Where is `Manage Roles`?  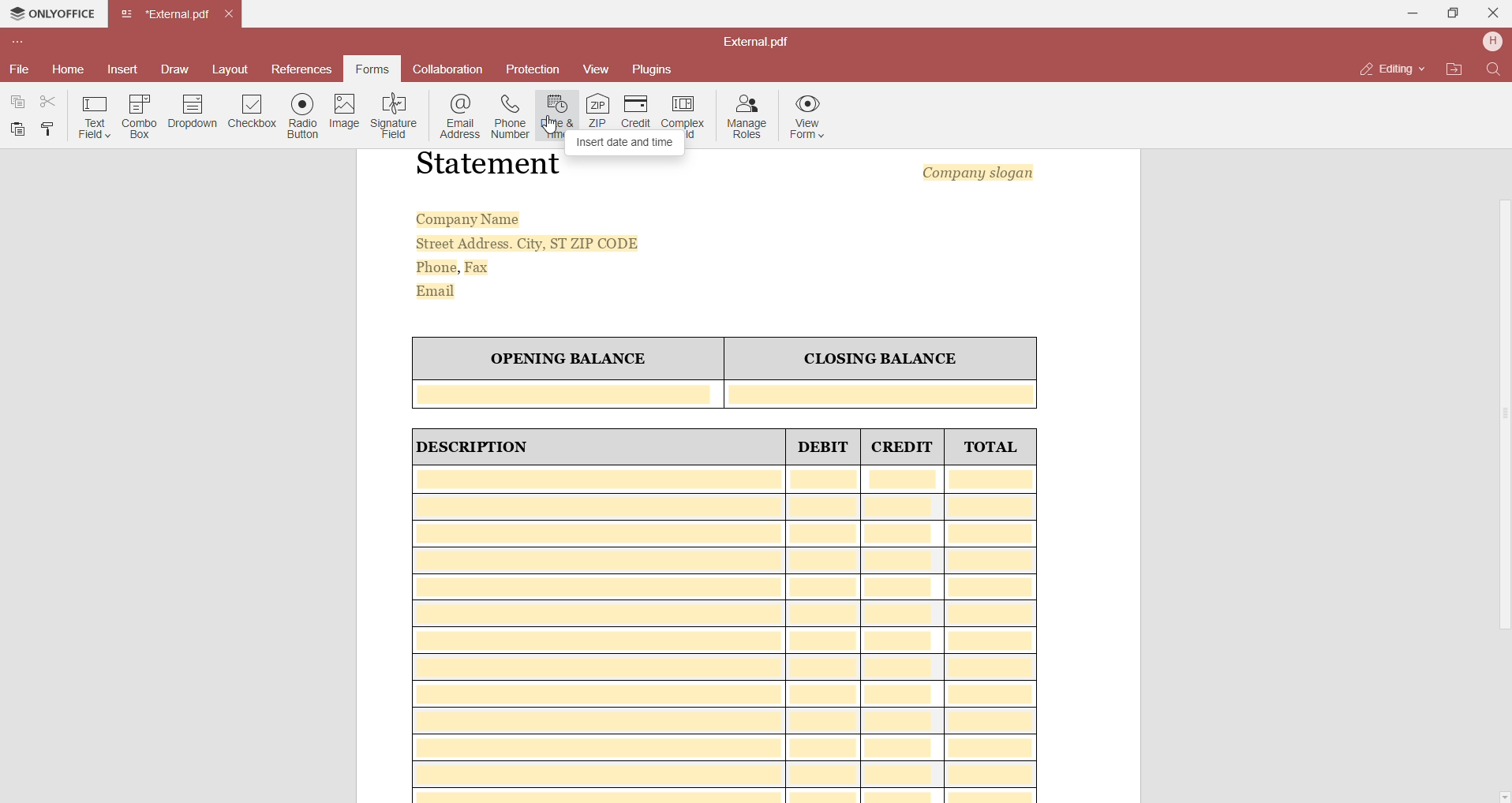
Manage Roles is located at coordinates (748, 116).